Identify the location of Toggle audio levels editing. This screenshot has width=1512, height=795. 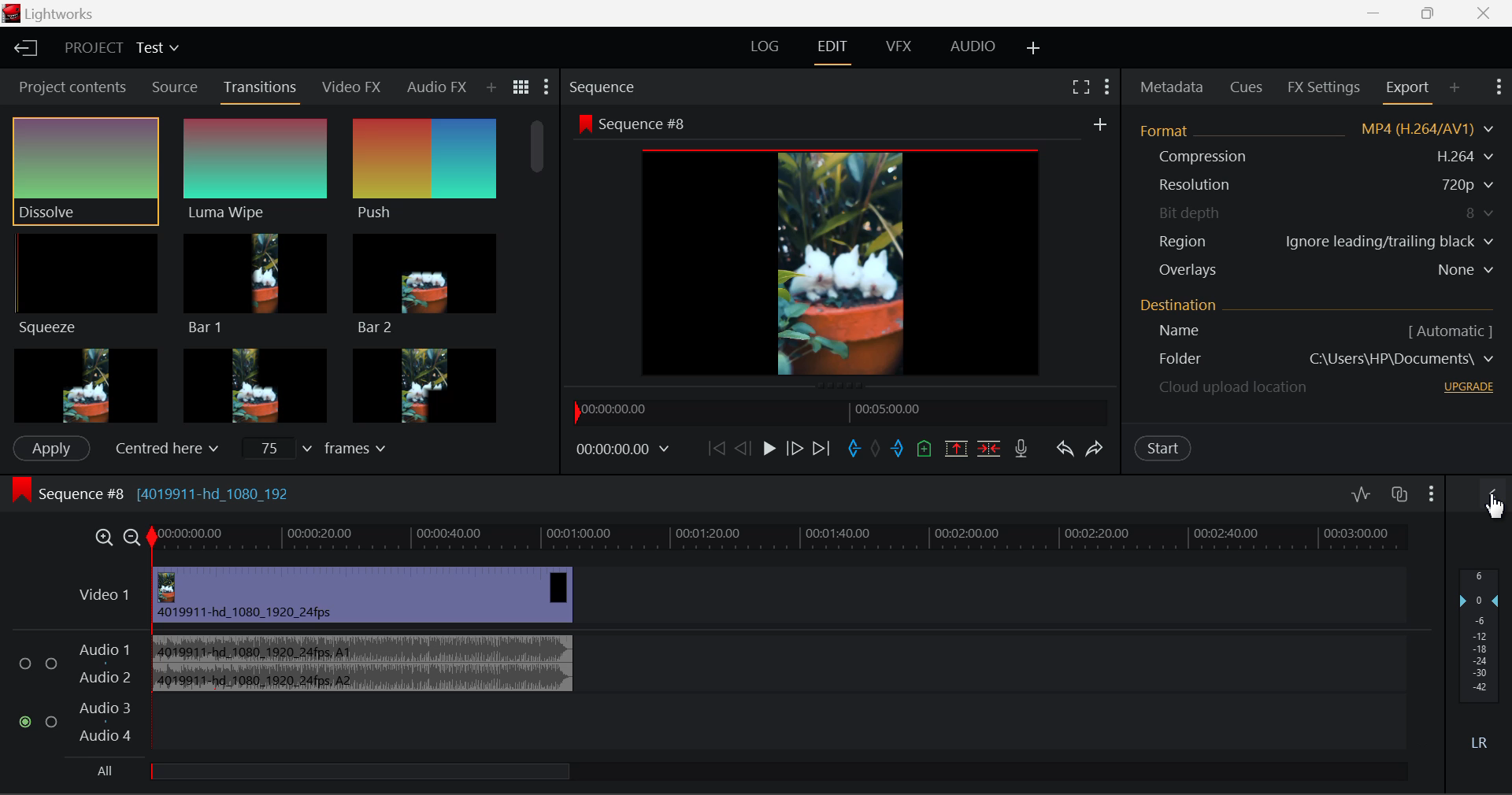
(1361, 493).